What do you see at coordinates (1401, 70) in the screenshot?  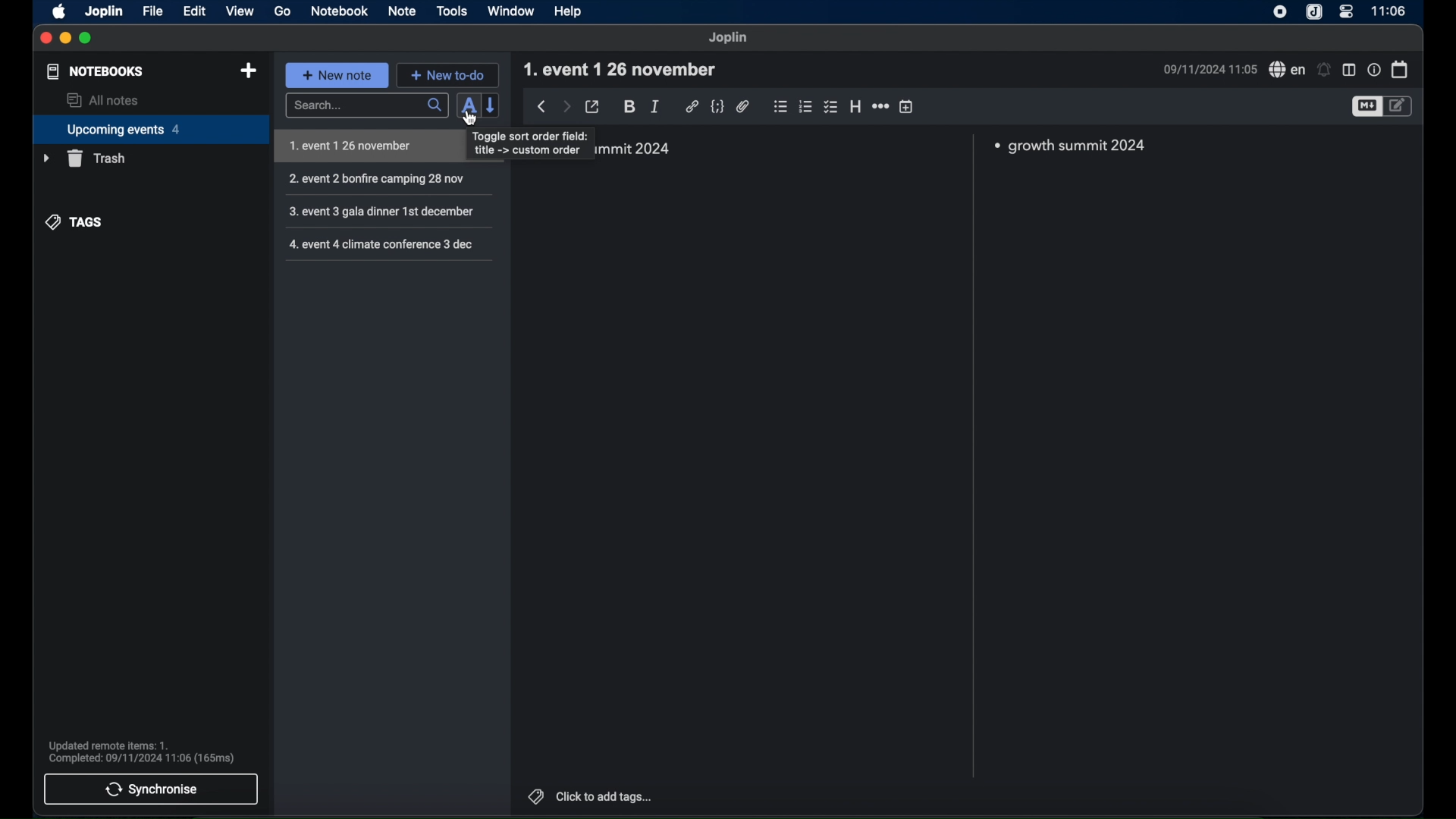 I see `calendar plugin` at bounding box center [1401, 70].